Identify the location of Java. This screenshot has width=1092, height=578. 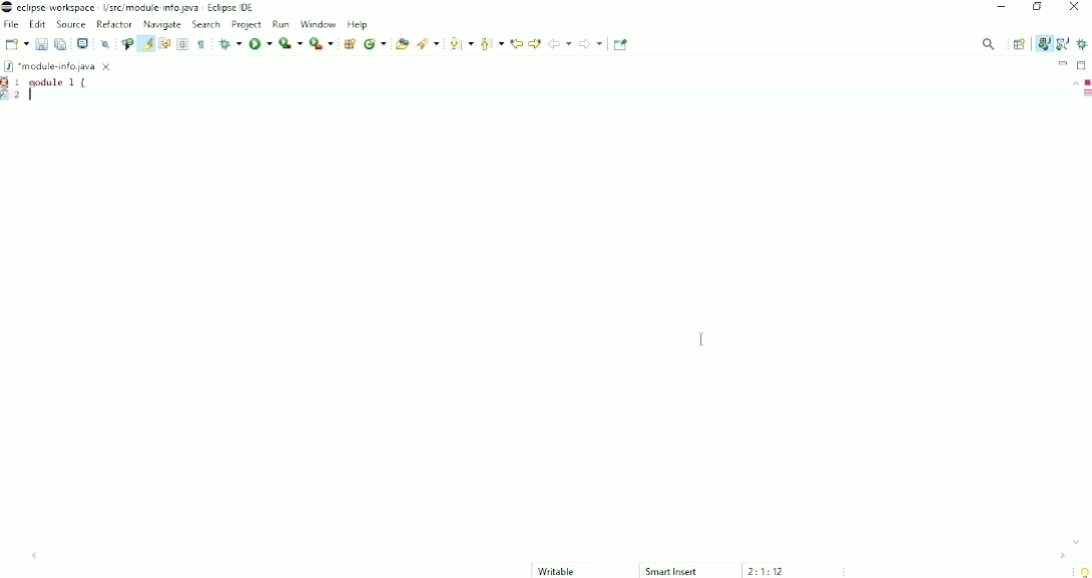
(1043, 43).